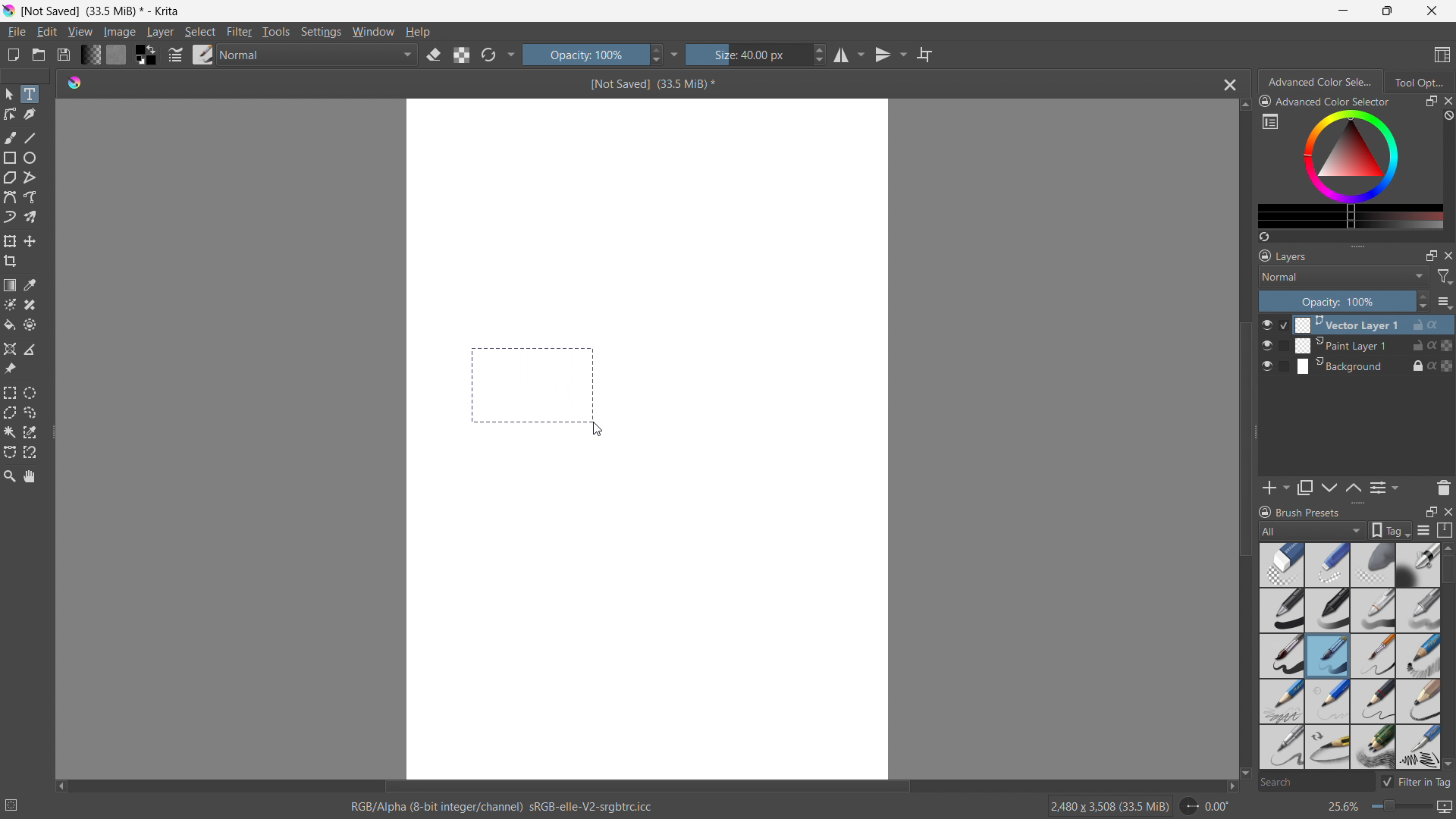 This screenshot has width=1456, height=819. Describe the element at coordinates (10, 285) in the screenshot. I see `draw a gradient` at that location.